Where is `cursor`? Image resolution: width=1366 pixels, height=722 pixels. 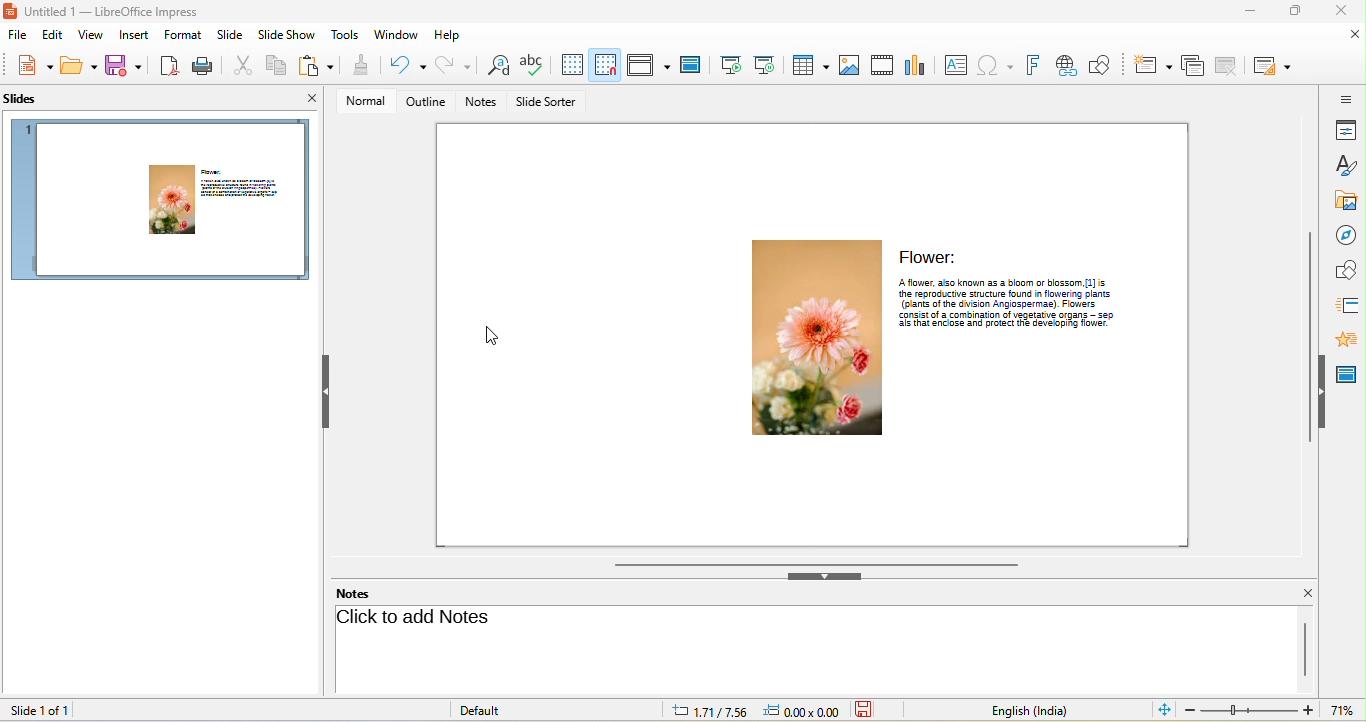 cursor is located at coordinates (501, 335).